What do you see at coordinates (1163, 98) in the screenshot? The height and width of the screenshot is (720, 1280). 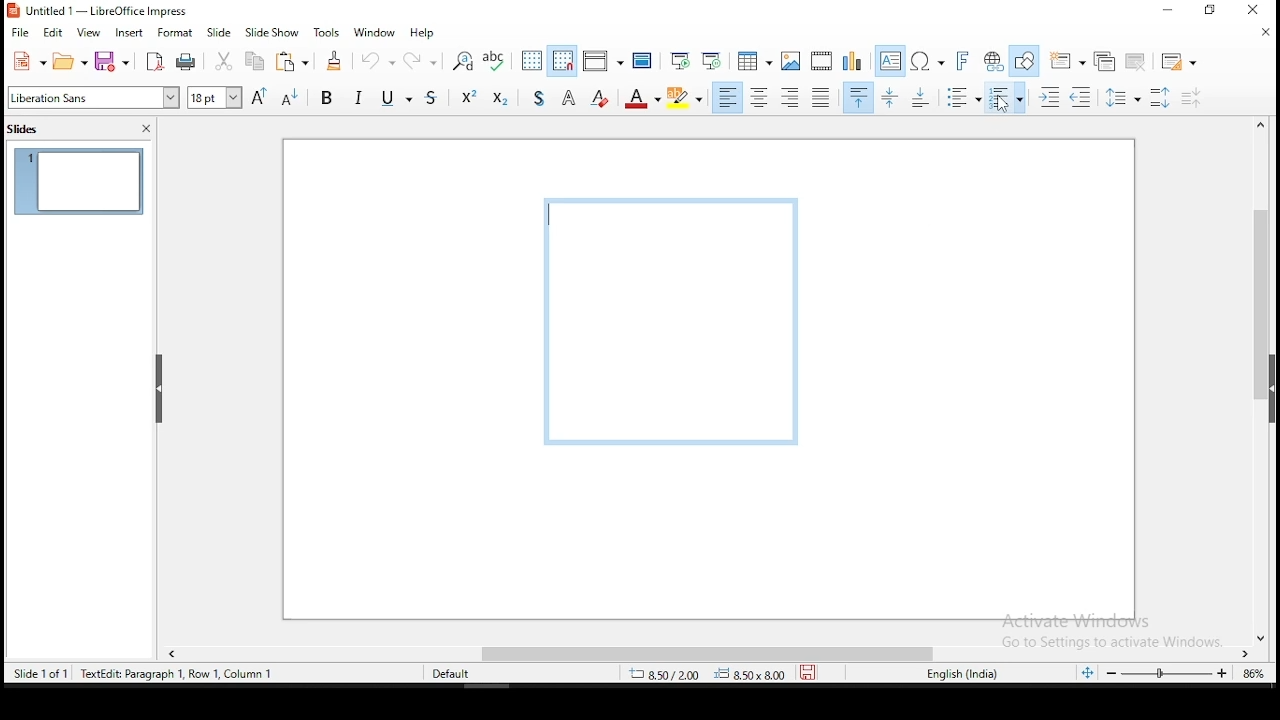 I see `increase paragraph spacing` at bounding box center [1163, 98].